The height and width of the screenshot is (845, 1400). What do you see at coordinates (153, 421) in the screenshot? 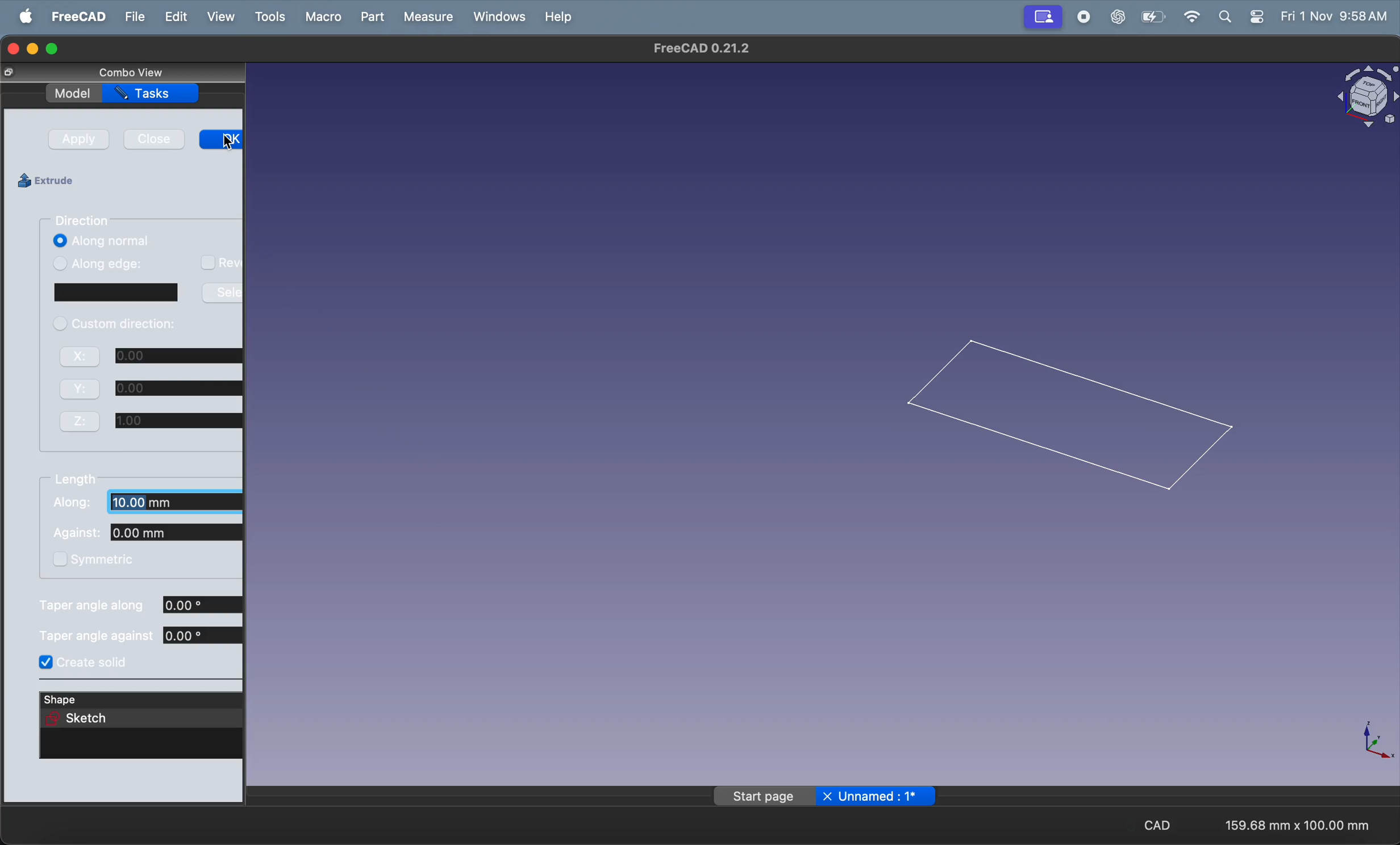
I see `z axis co ordinate` at bounding box center [153, 421].